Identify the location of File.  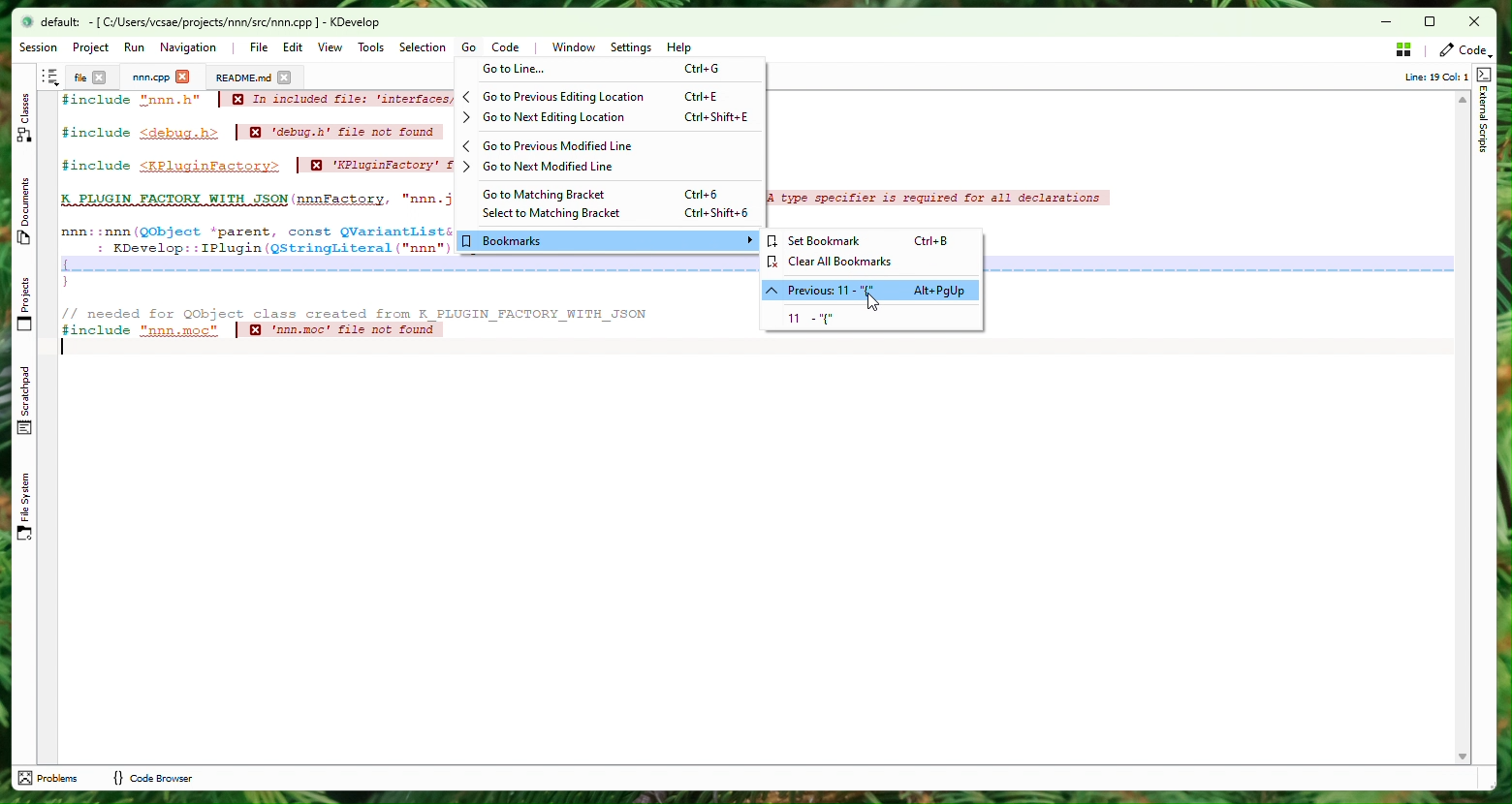
(78, 77).